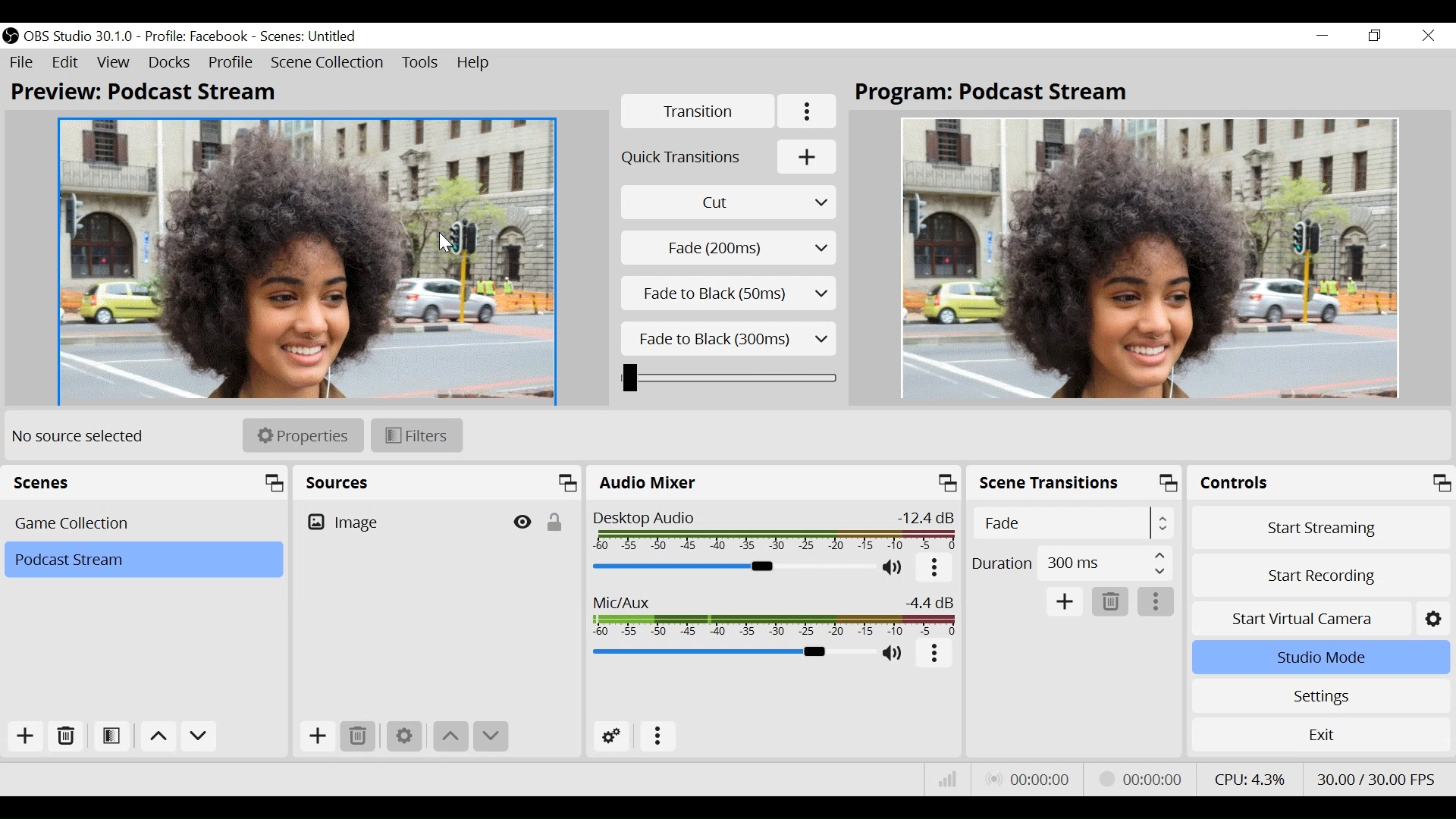 The image size is (1456, 819). I want to click on No source selected, so click(83, 436).